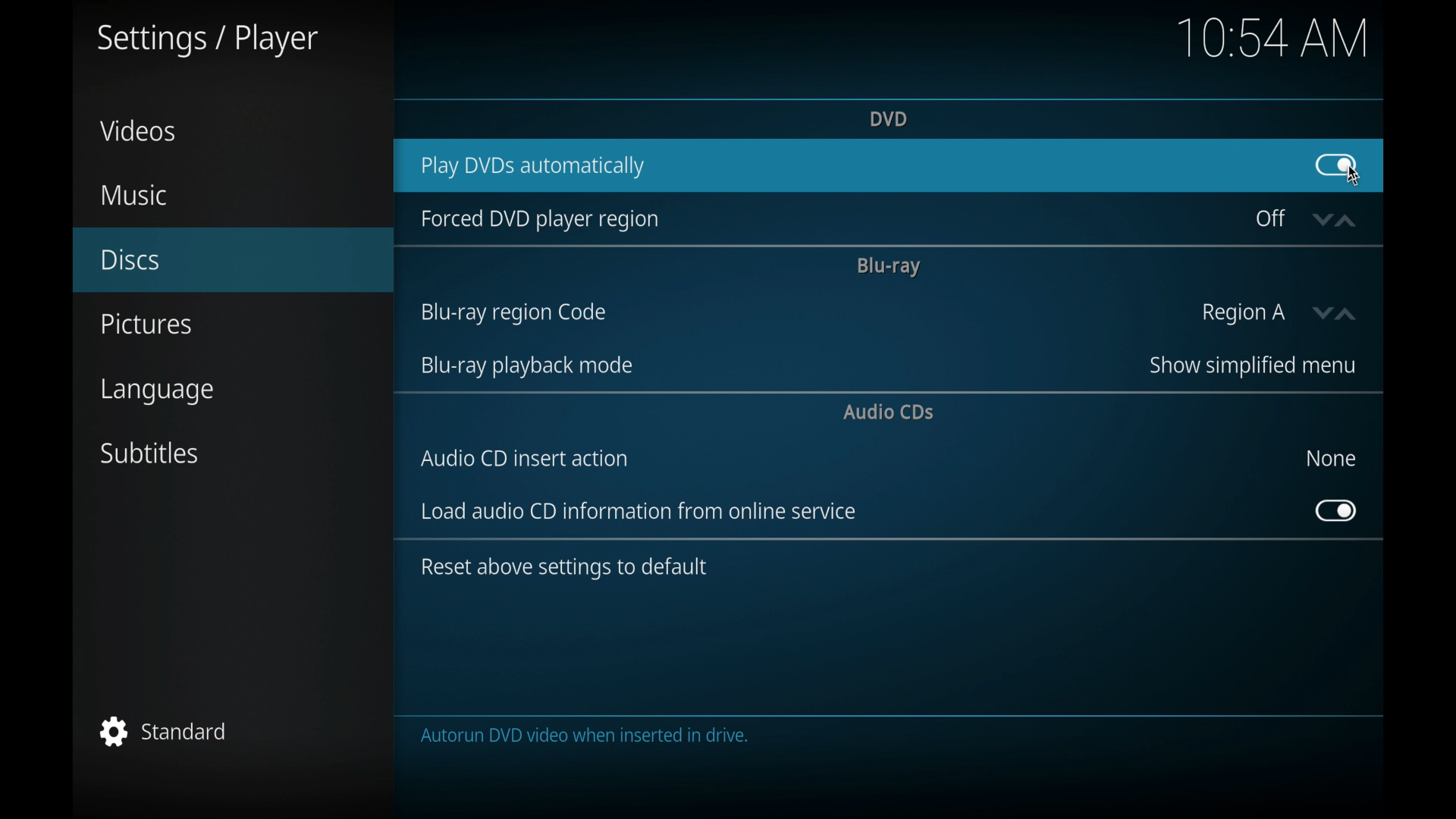 This screenshot has height=819, width=1456. I want to click on blu-ray region cose, so click(513, 313).